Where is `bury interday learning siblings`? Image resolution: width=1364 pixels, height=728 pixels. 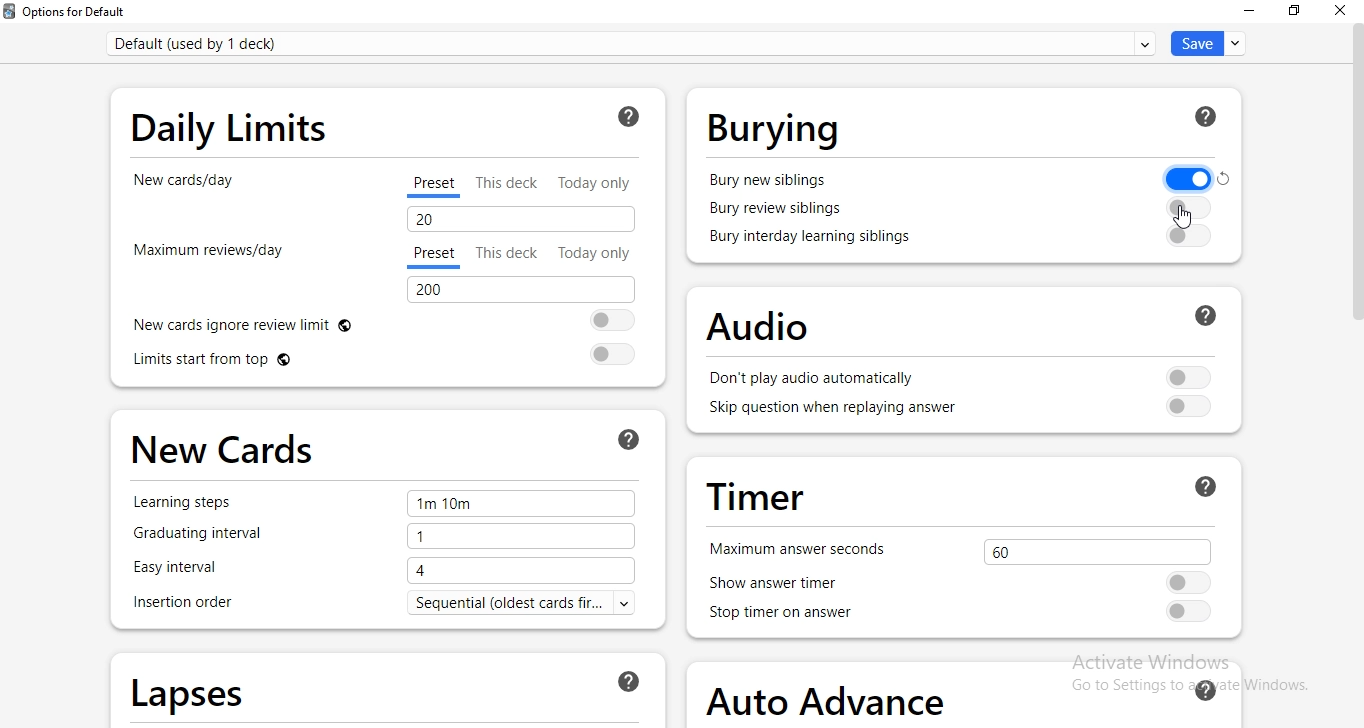 bury interday learning siblings is located at coordinates (812, 238).